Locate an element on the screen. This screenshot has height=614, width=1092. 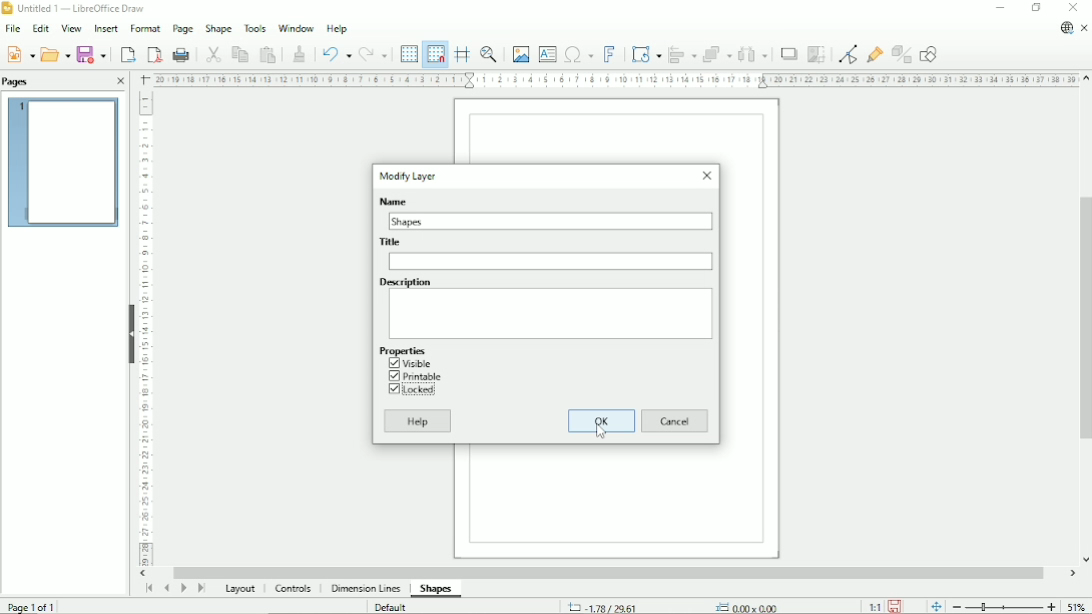
Cursor is located at coordinates (600, 430).